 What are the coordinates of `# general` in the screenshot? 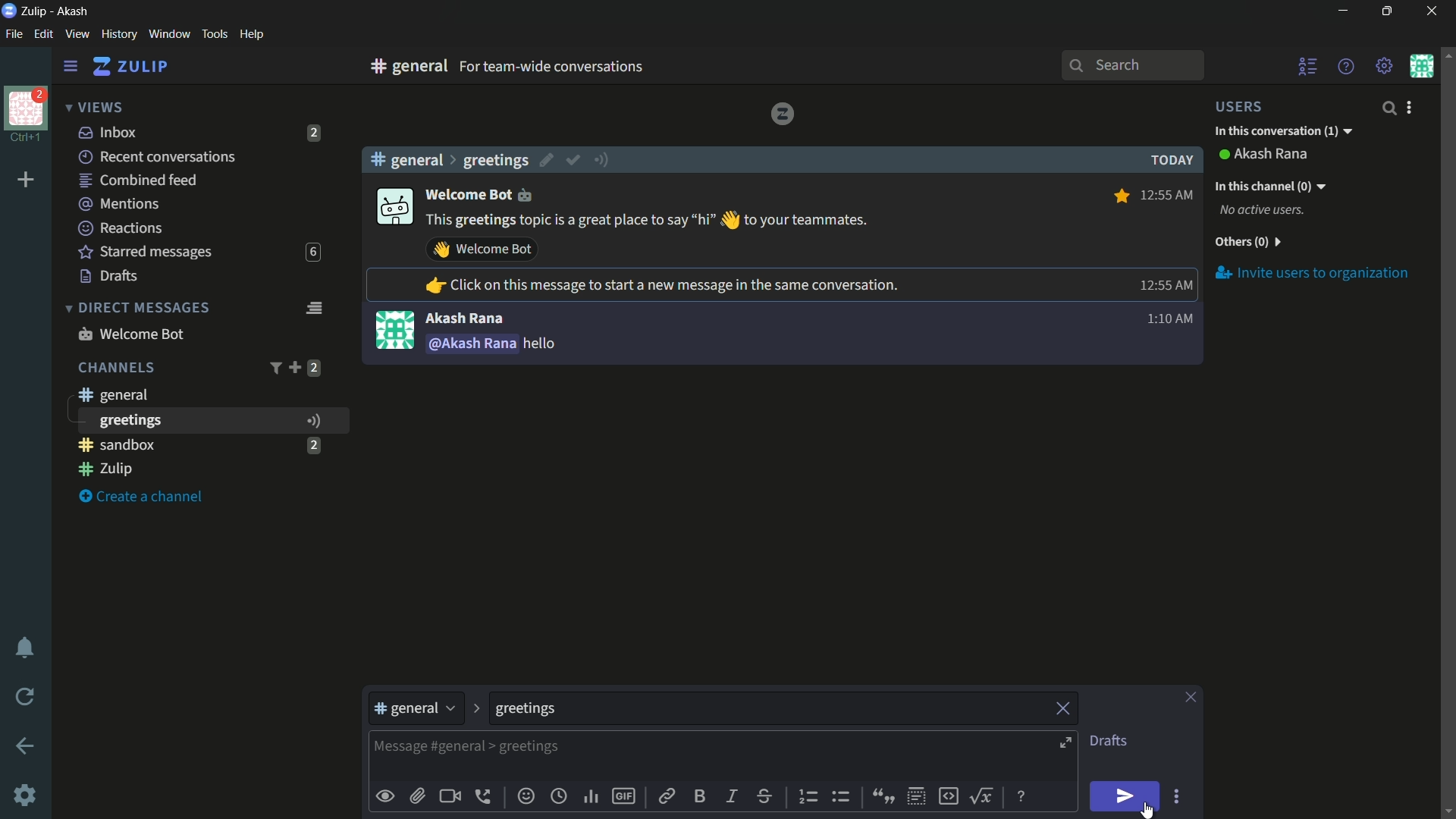 It's located at (406, 159).